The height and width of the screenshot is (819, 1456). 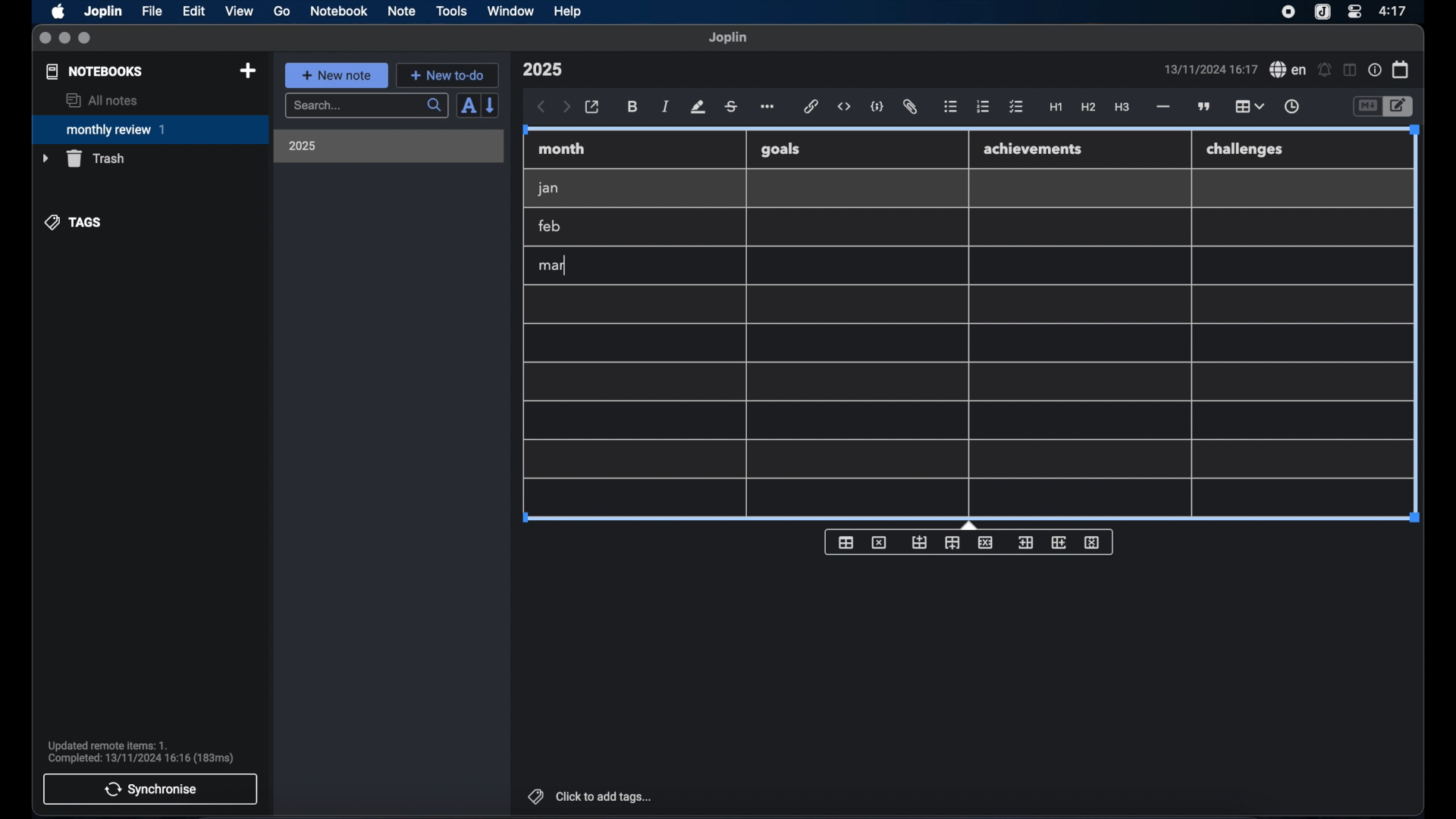 What do you see at coordinates (105, 12) in the screenshot?
I see `Joplin` at bounding box center [105, 12].